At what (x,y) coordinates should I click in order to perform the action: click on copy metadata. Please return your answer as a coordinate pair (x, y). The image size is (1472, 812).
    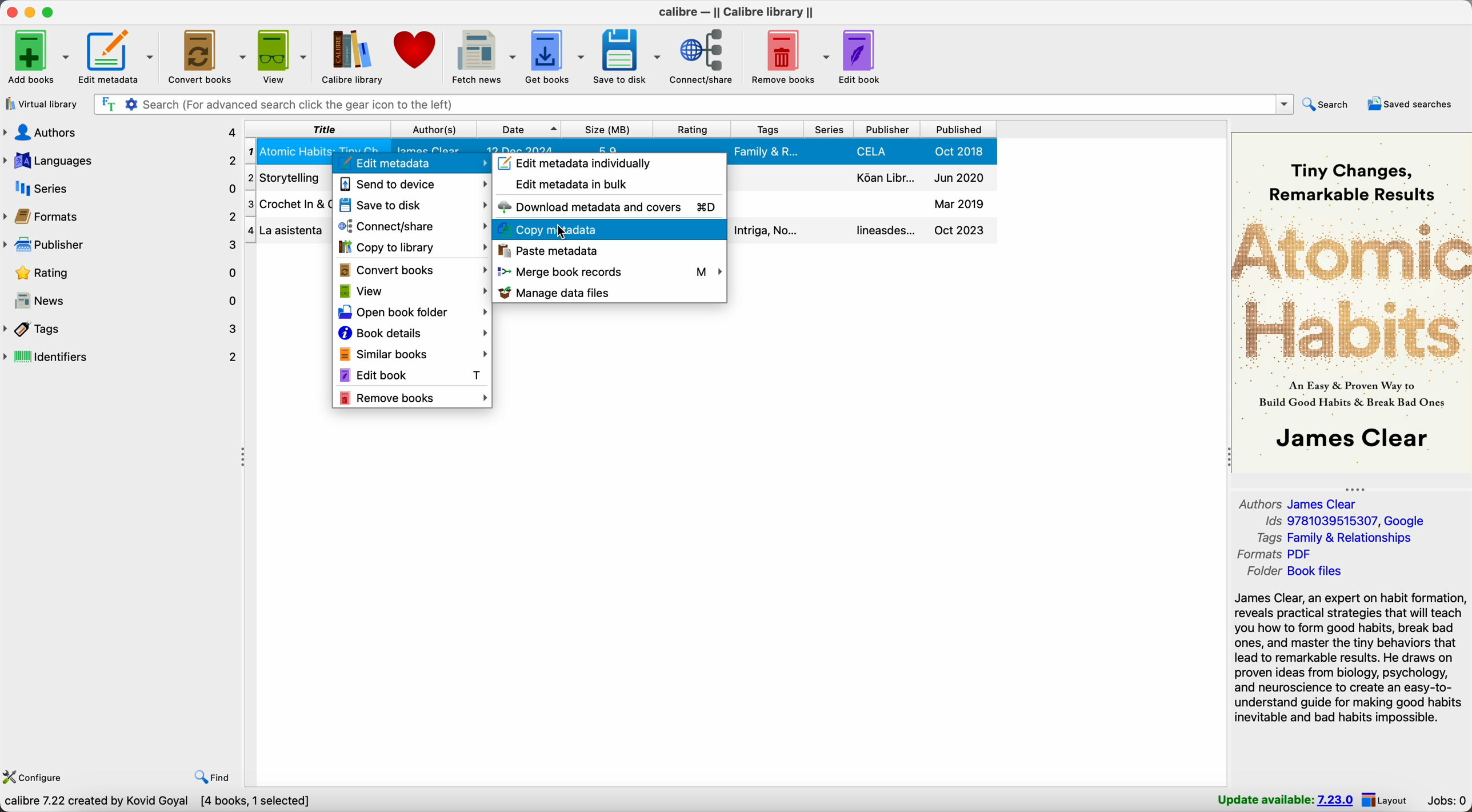
    Looking at the image, I should click on (528, 228).